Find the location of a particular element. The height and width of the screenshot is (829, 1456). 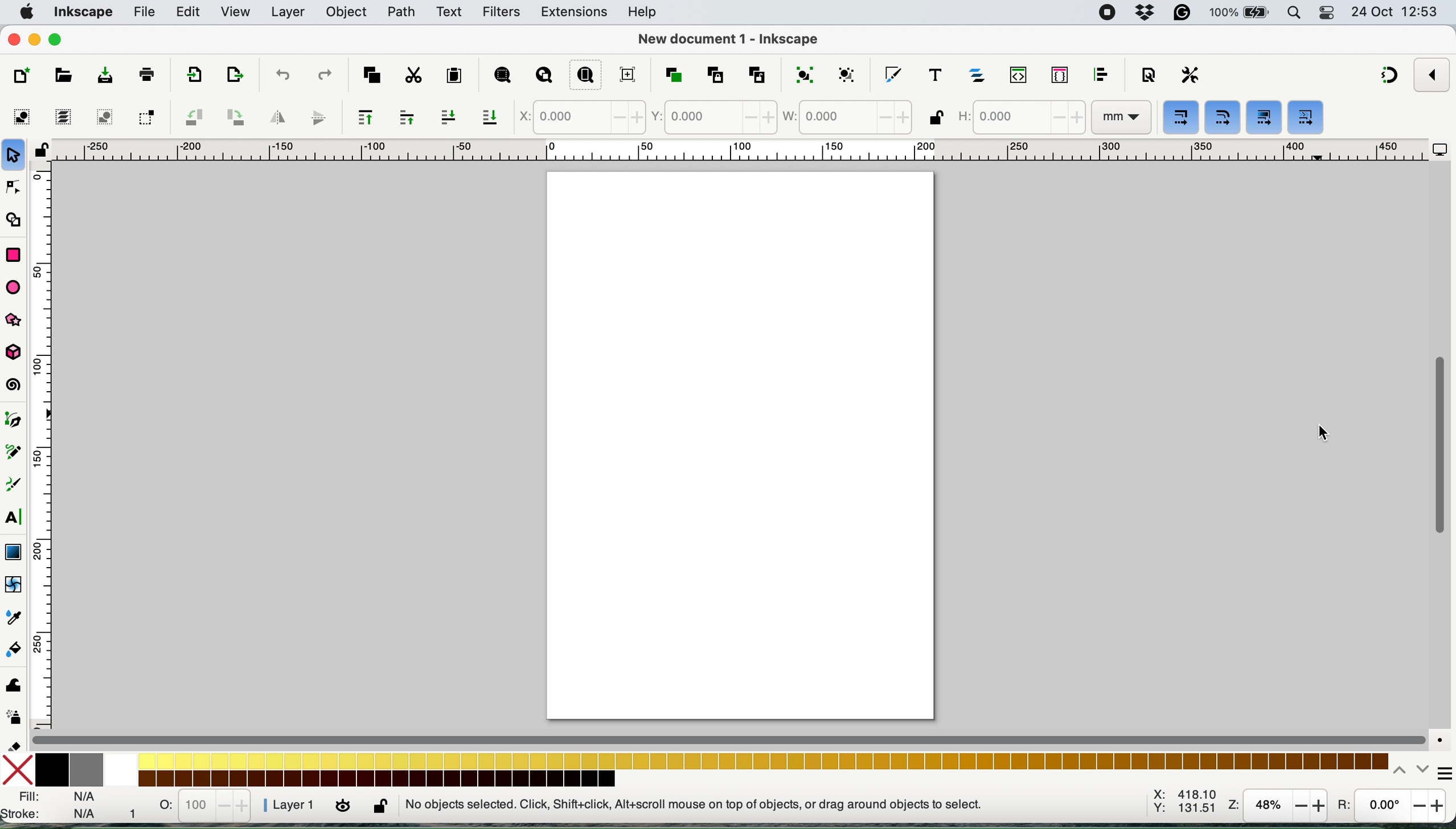

spiral tool is located at coordinates (16, 384).